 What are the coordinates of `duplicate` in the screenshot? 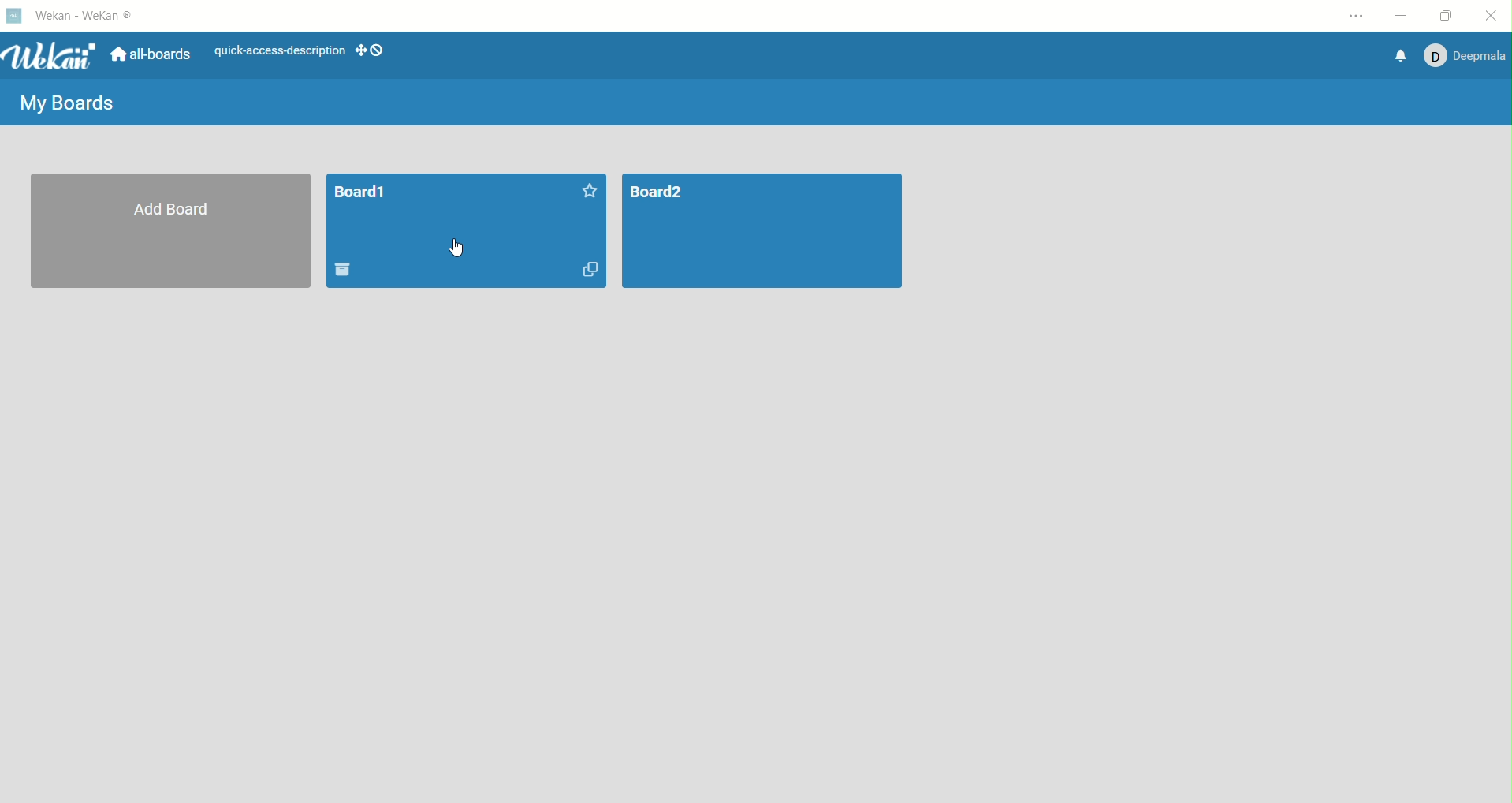 It's located at (591, 271).